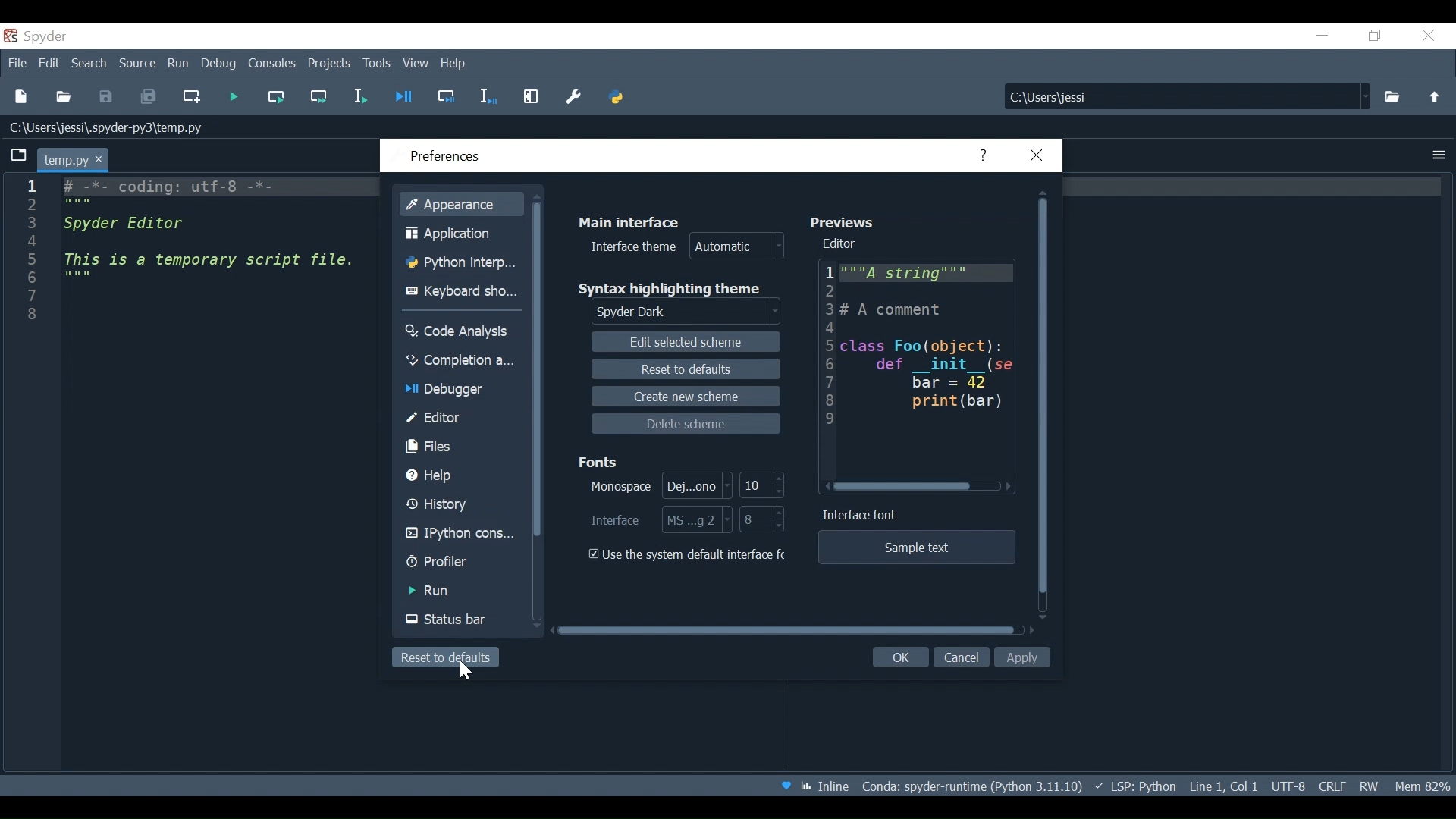  Describe the element at coordinates (19, 63) in the screenshot. I see `File` at that location.